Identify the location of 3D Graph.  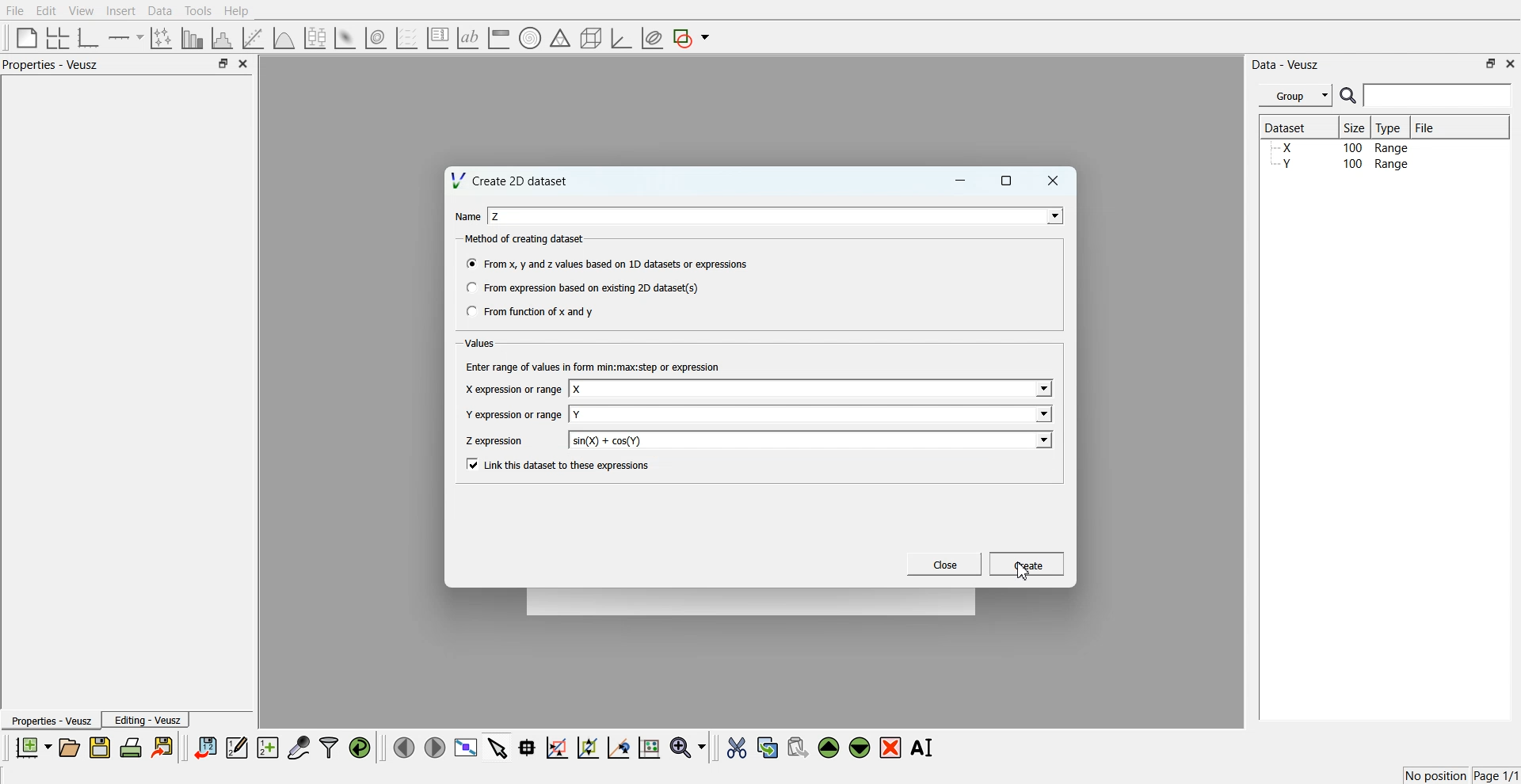
(621, 38).